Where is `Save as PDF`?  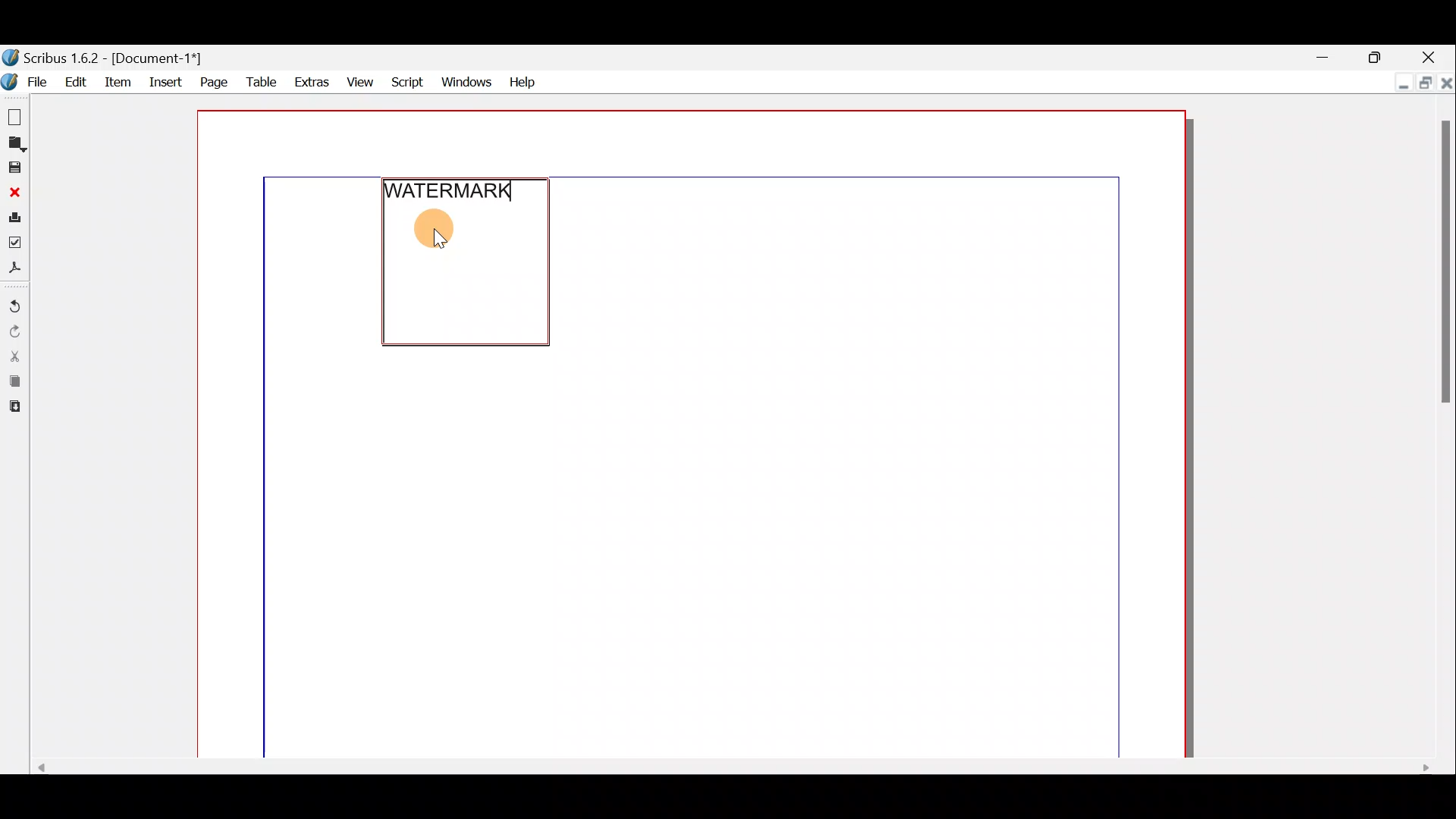
Save as PDF is located at coordinates (14, 270).